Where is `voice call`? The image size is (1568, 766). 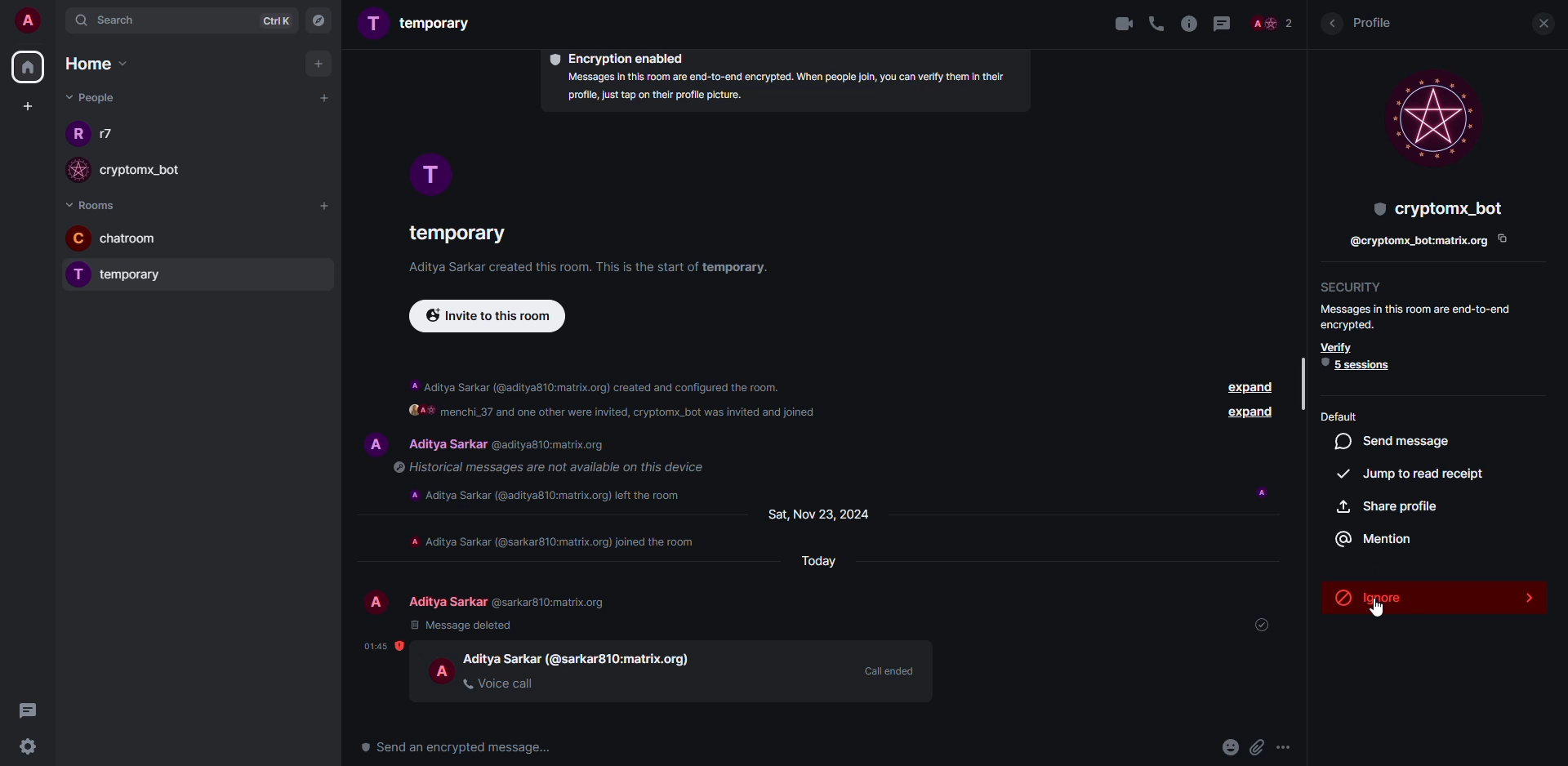 voice call is located at coordinates (1159, 24).